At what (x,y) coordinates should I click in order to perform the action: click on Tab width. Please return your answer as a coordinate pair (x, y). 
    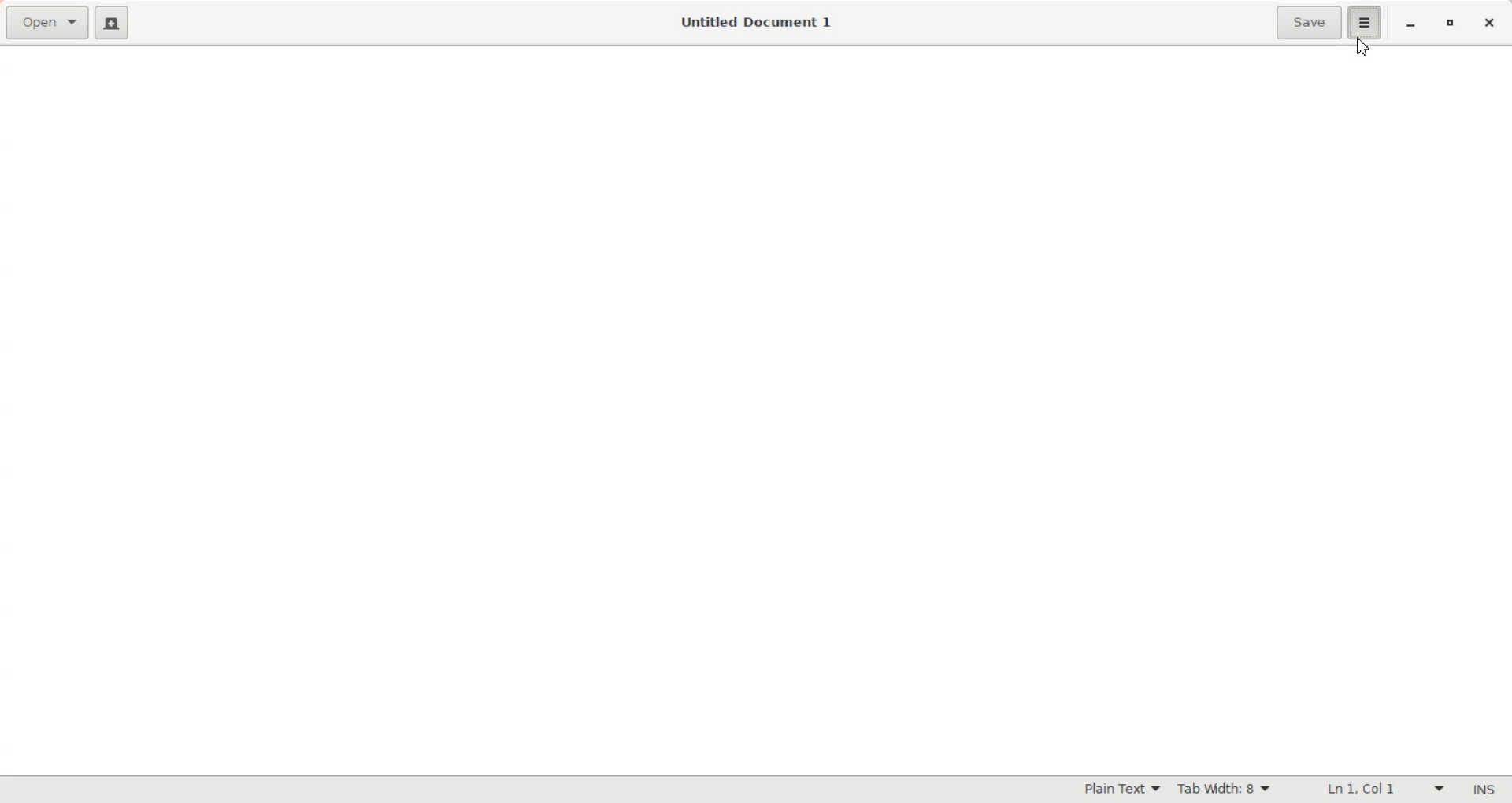
    Looking at the image, I should click on (1225, 789).